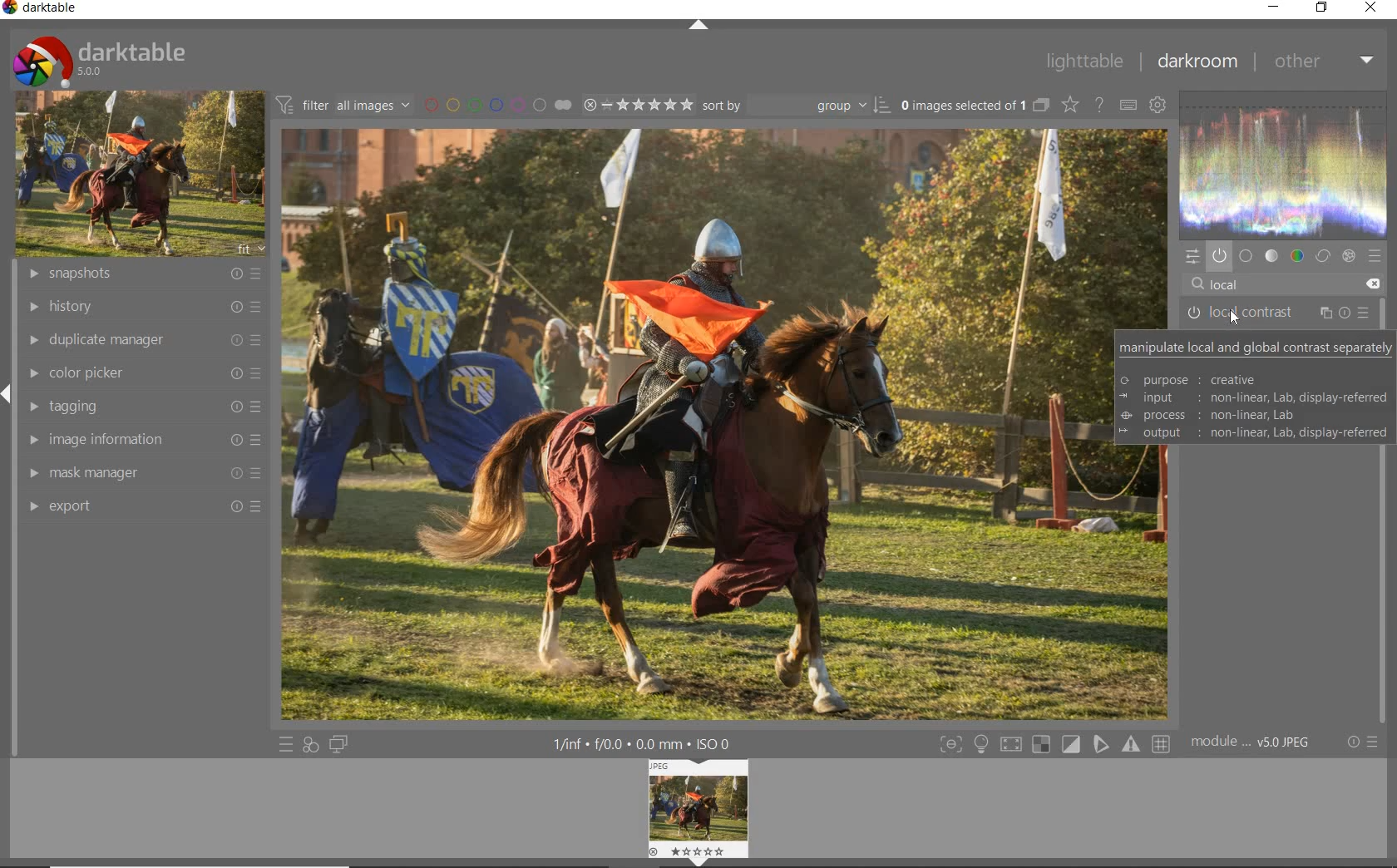  I want to click on selected Image range rating, so click(637, 104).